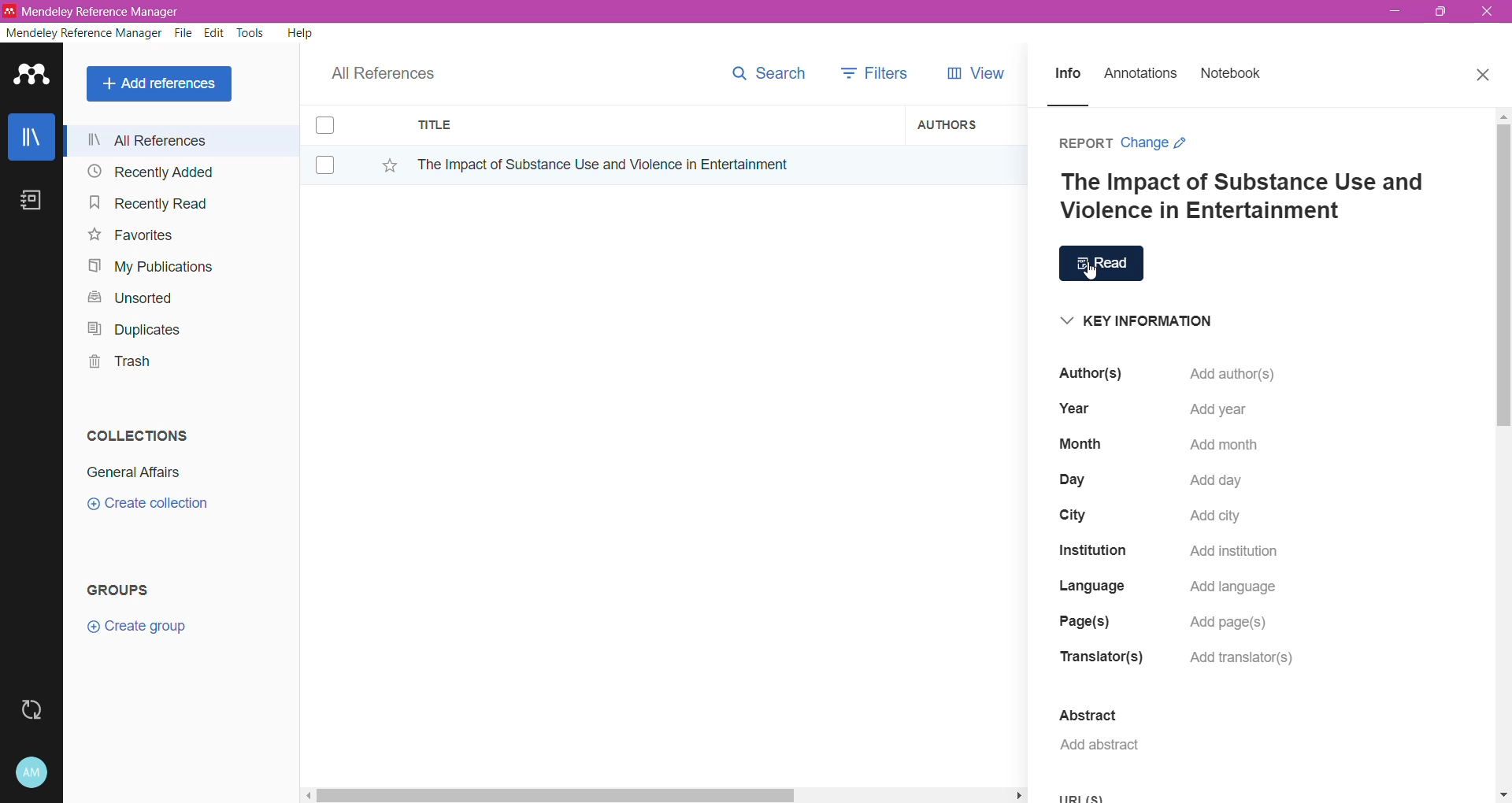 The height and width of the screenshot is (803, 1512). What do you see at coordinates (252, 33) in the screenshot?
I see `Tools` at bounding box center [252, 33].